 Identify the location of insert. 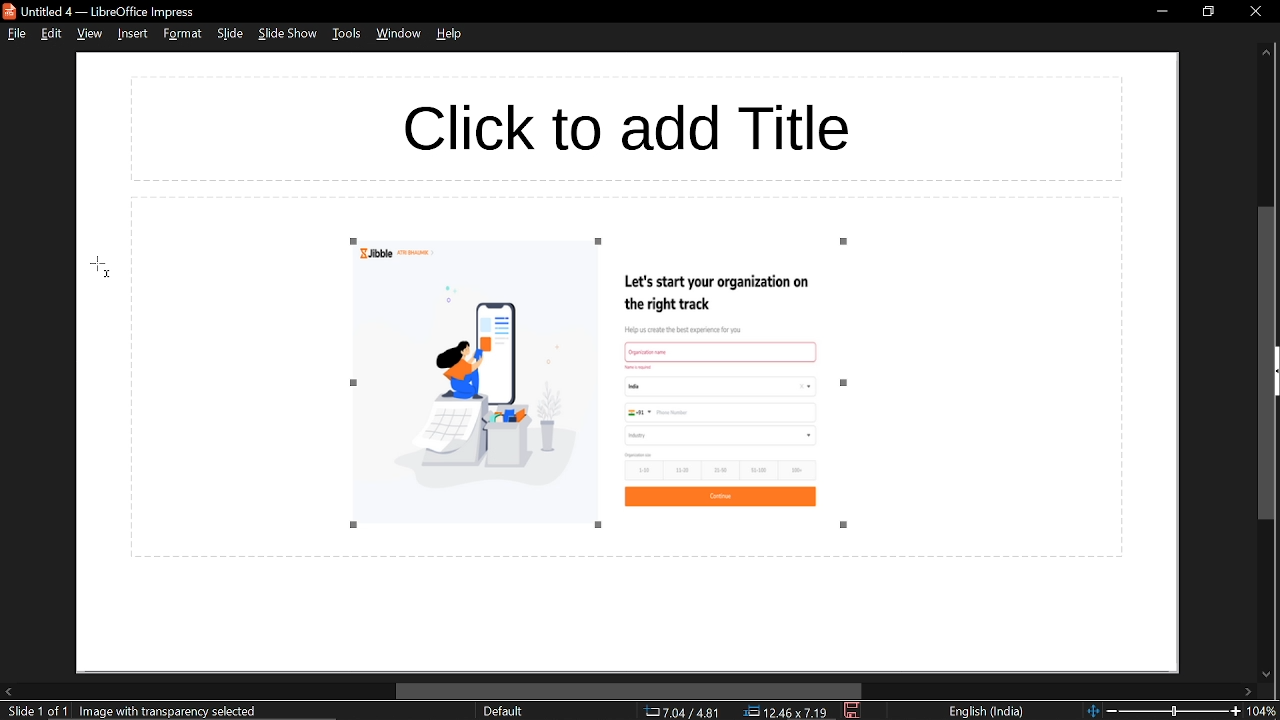
(134, 34).